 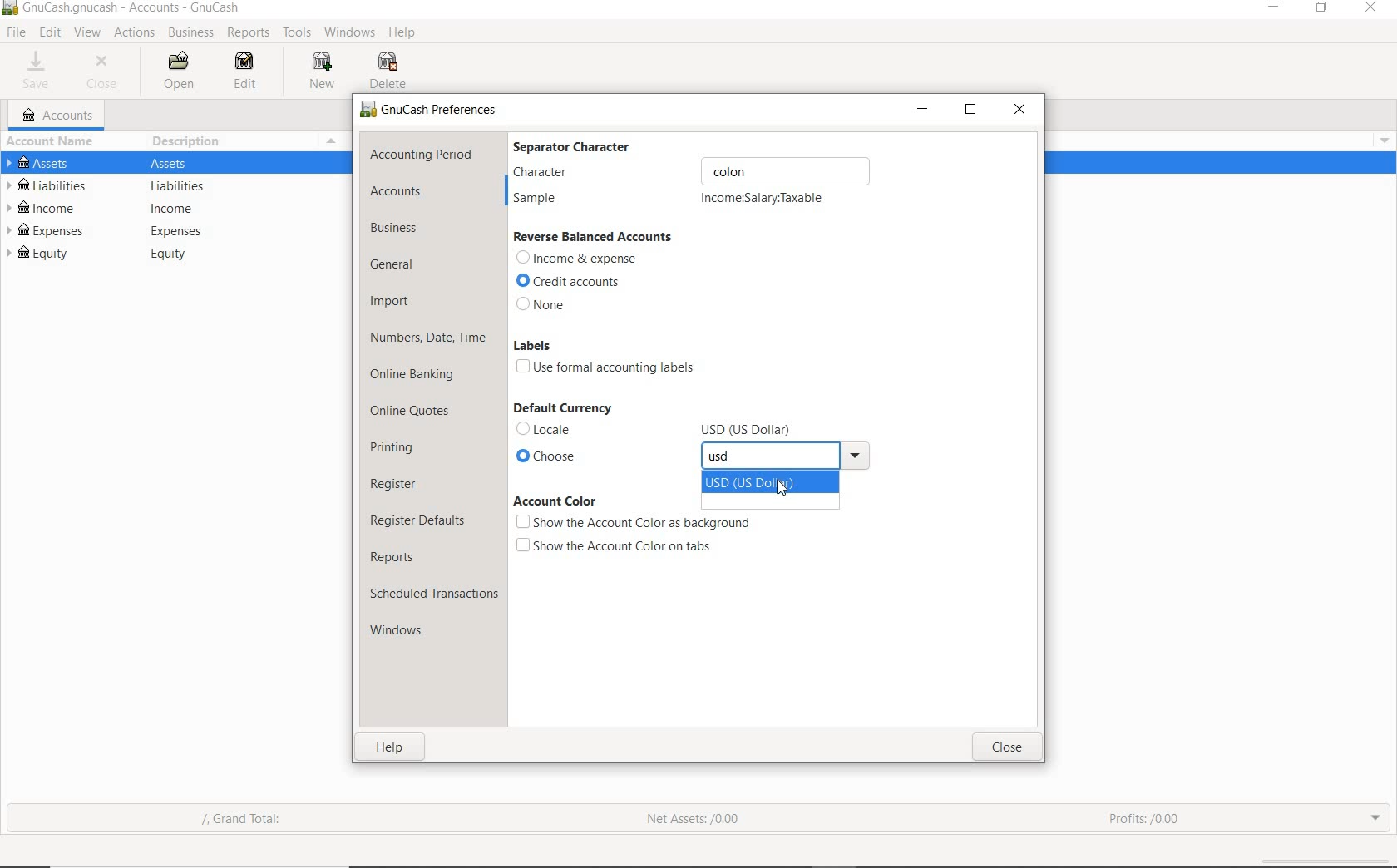 I want to click on Close, so click(x=1370, y=11).